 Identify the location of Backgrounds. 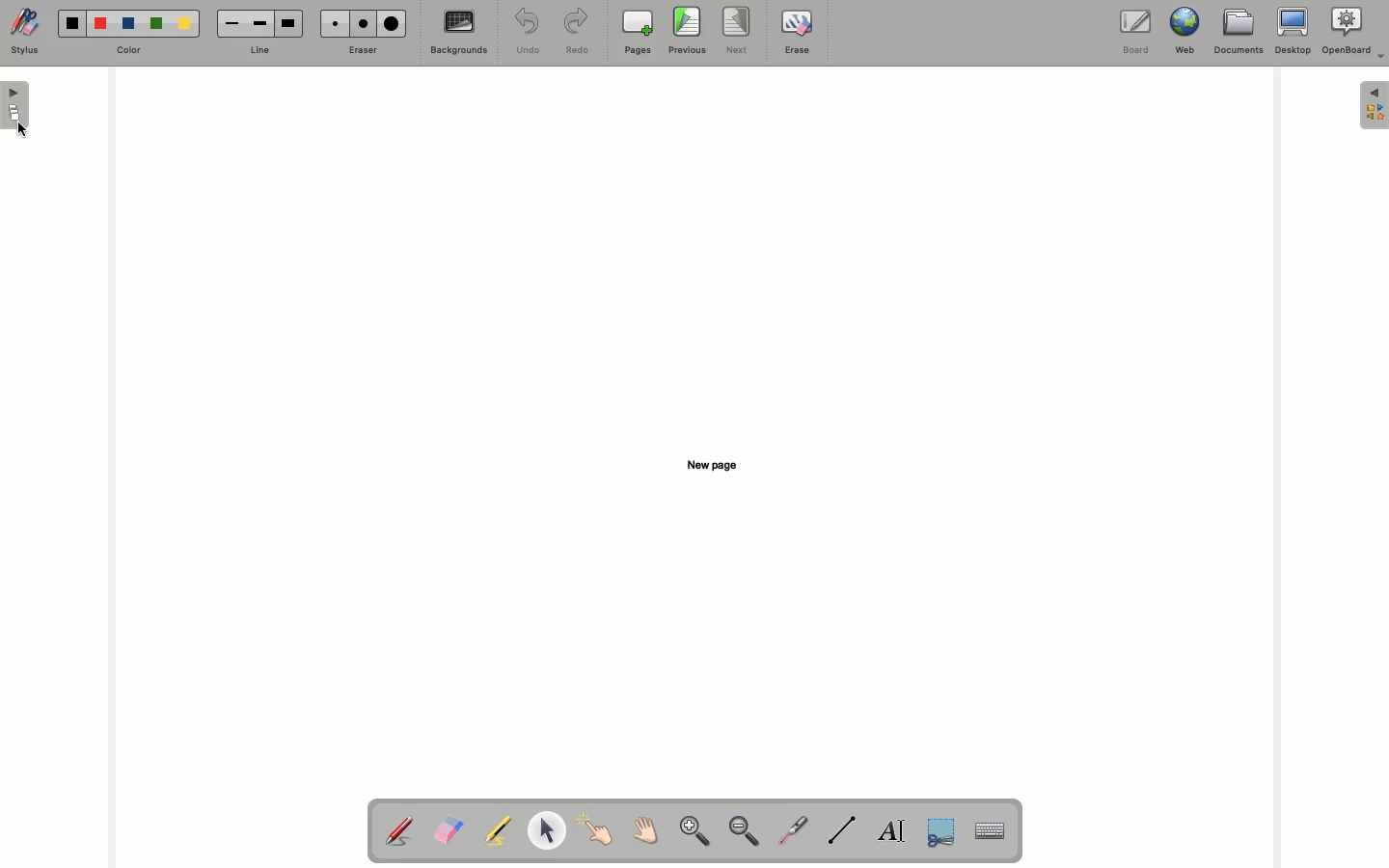
(460, 32).